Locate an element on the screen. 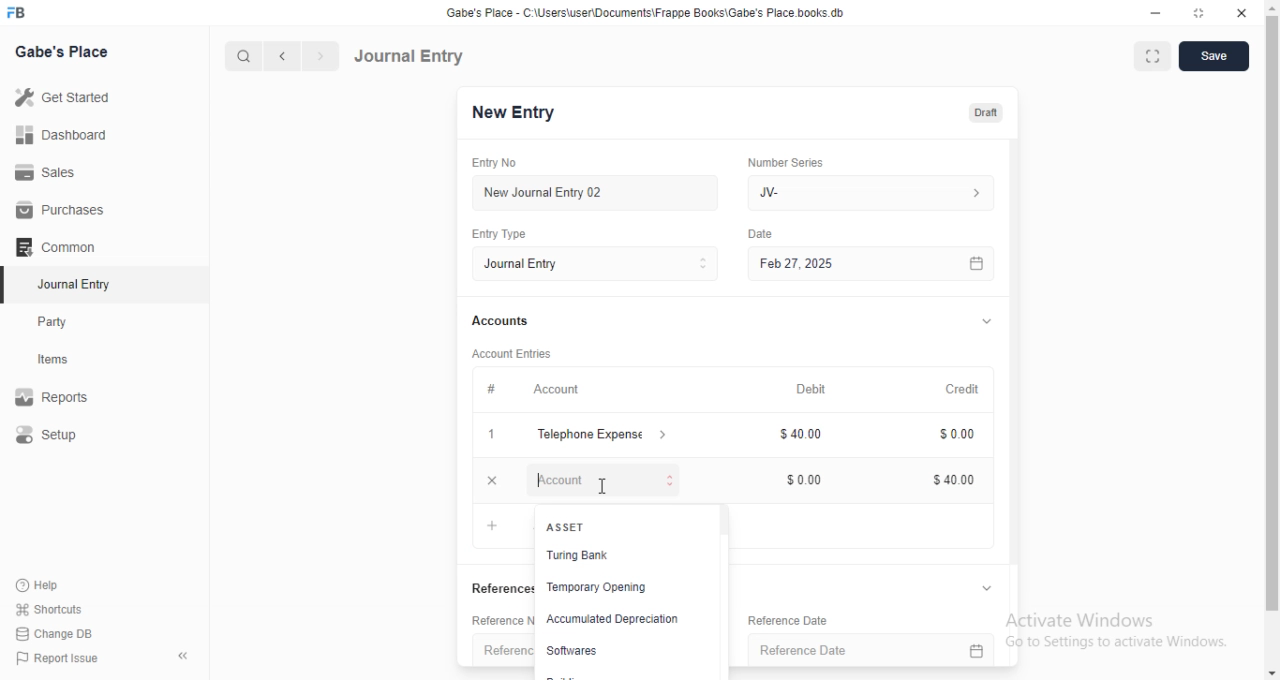 This screenshot has width=1280, height=680. Credit is located at coordinates (971, 390).